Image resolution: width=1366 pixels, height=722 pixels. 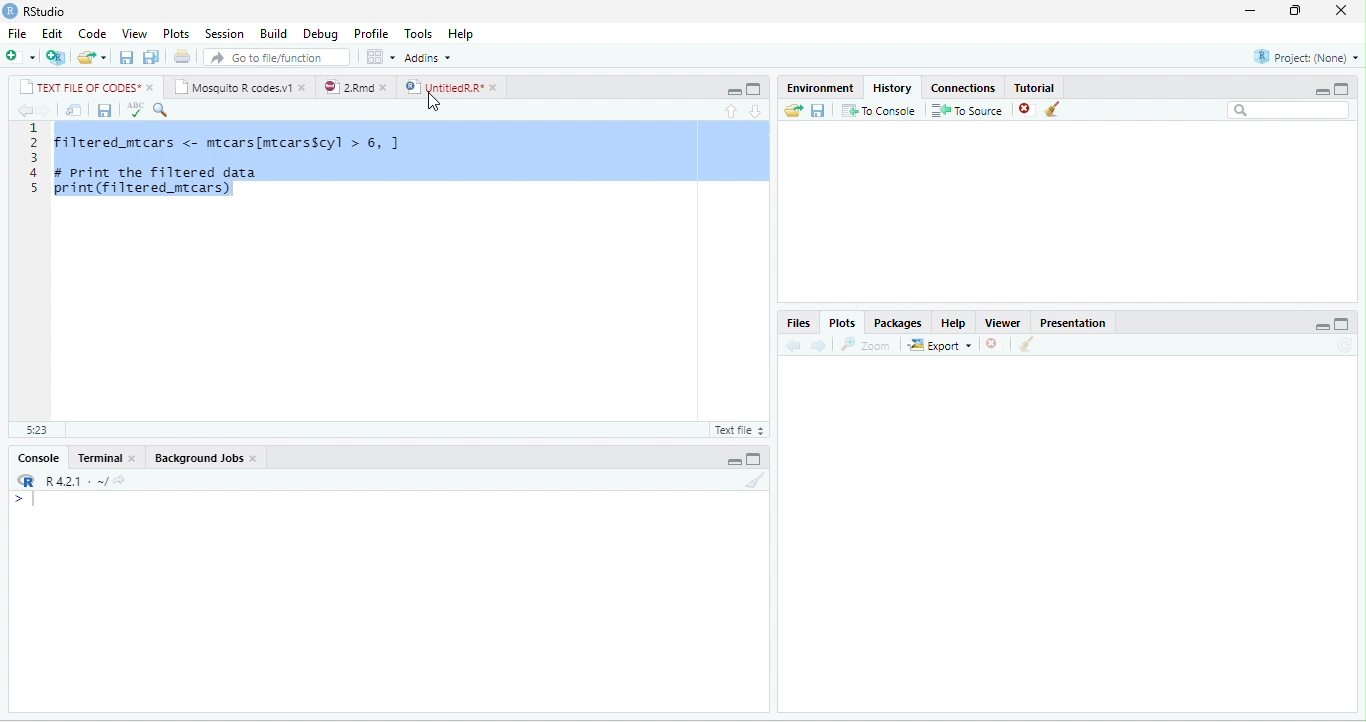 I want to click on down, so click(x=757, y=110).